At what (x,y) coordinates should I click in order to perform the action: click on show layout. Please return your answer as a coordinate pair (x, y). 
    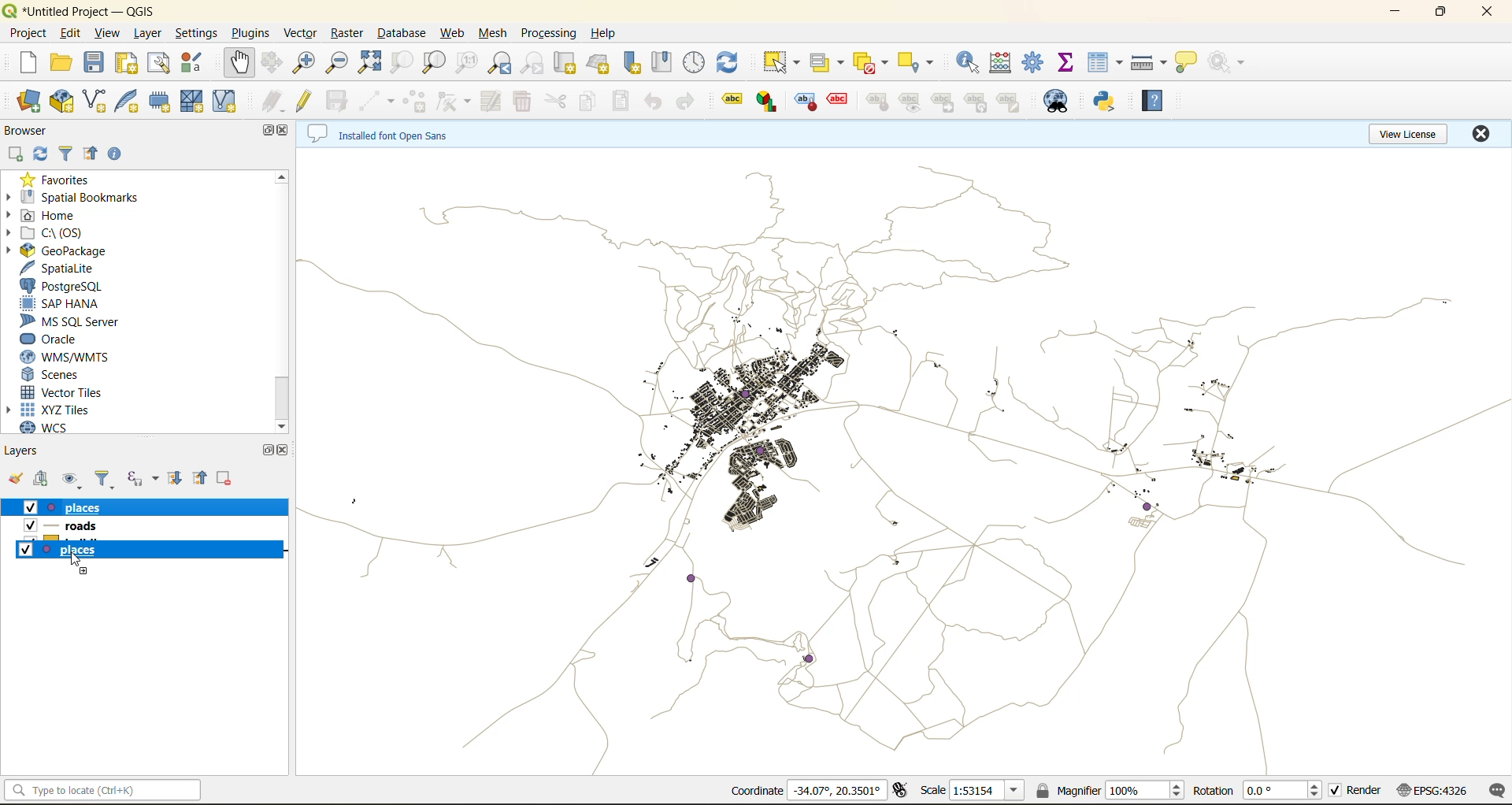
    Looking at the image, I should click on (160, 63).